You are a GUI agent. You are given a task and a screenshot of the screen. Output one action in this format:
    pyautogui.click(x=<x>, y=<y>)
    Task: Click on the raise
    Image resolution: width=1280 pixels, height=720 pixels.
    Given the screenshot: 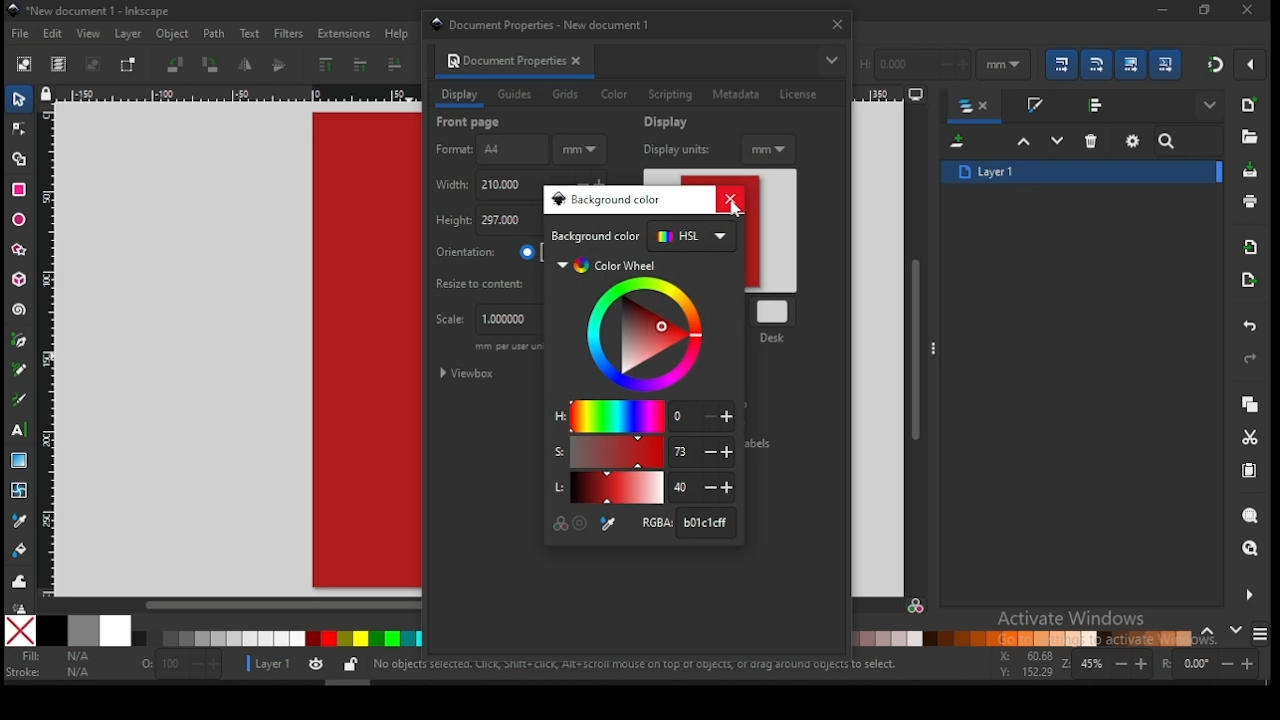 What is the action you would take?
    pyautogui.click(x=357, y=66)
    